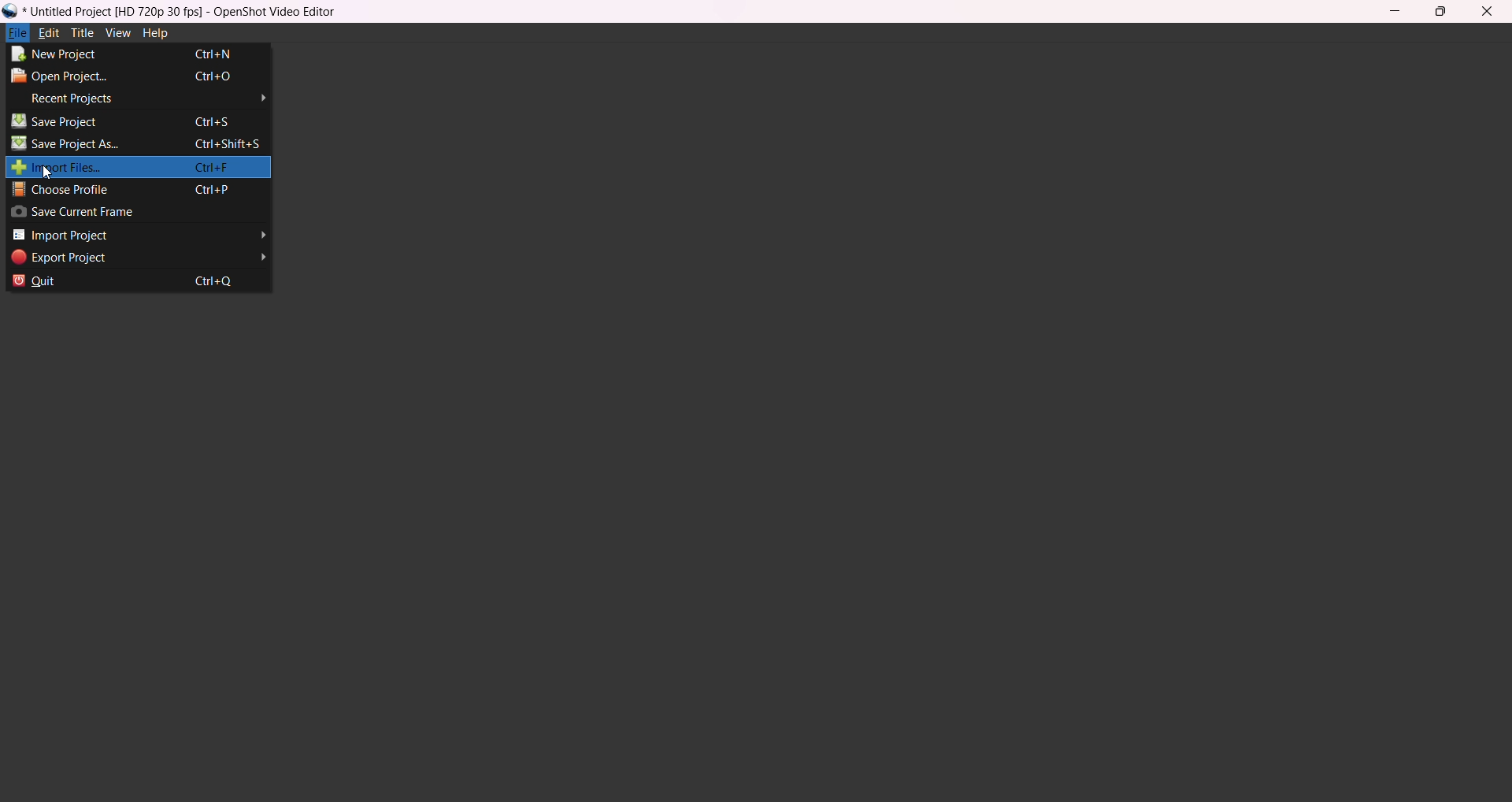 The image size is (1512, 802). What do you see at coordinates (135, 285) in the screenshot?
I see `quit` at bounding box center [135, 285].